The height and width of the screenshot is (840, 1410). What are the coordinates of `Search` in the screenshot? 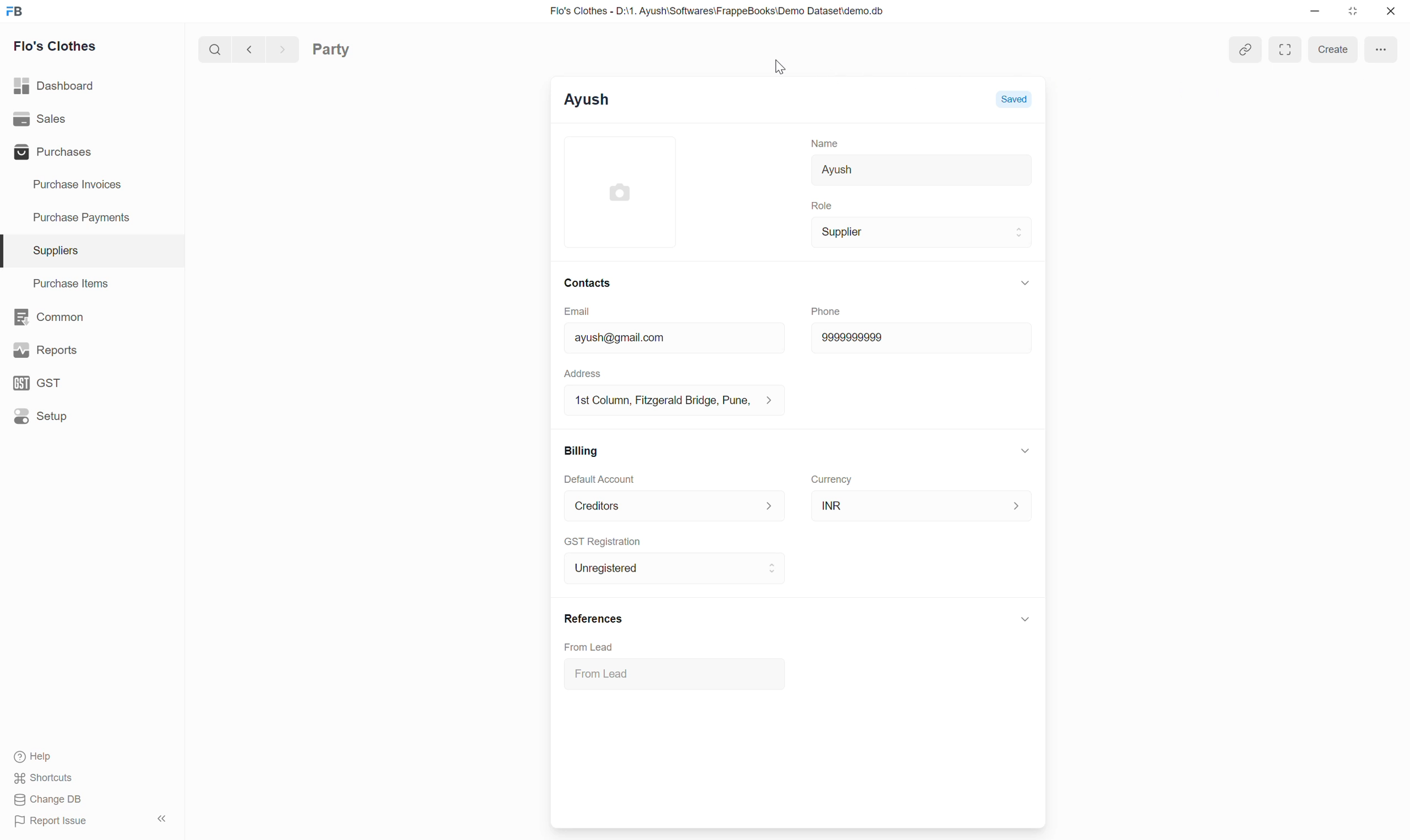 It's located at (215, 49).